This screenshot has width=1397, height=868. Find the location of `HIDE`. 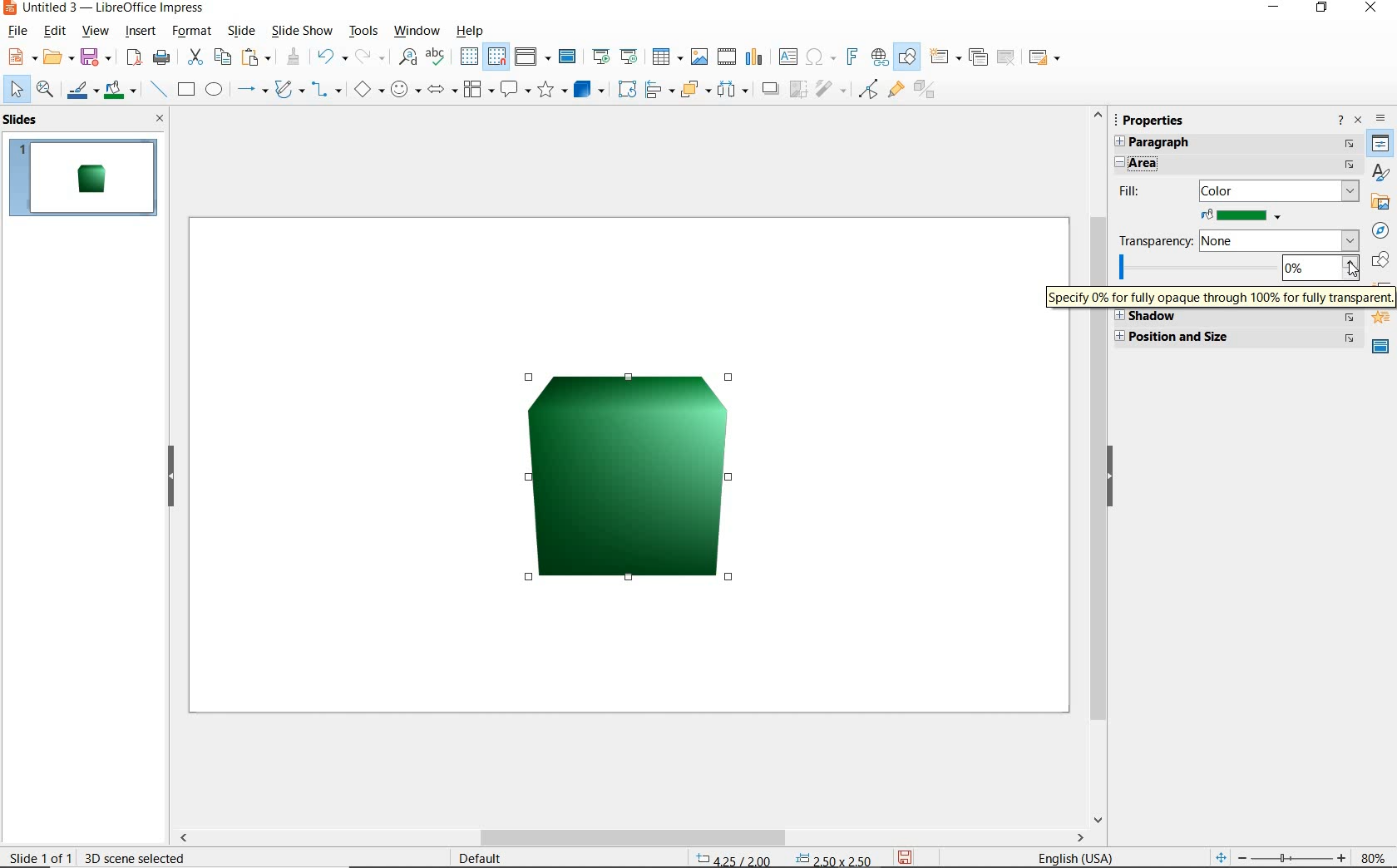

HIDE is located at coordinates (1113, 479).